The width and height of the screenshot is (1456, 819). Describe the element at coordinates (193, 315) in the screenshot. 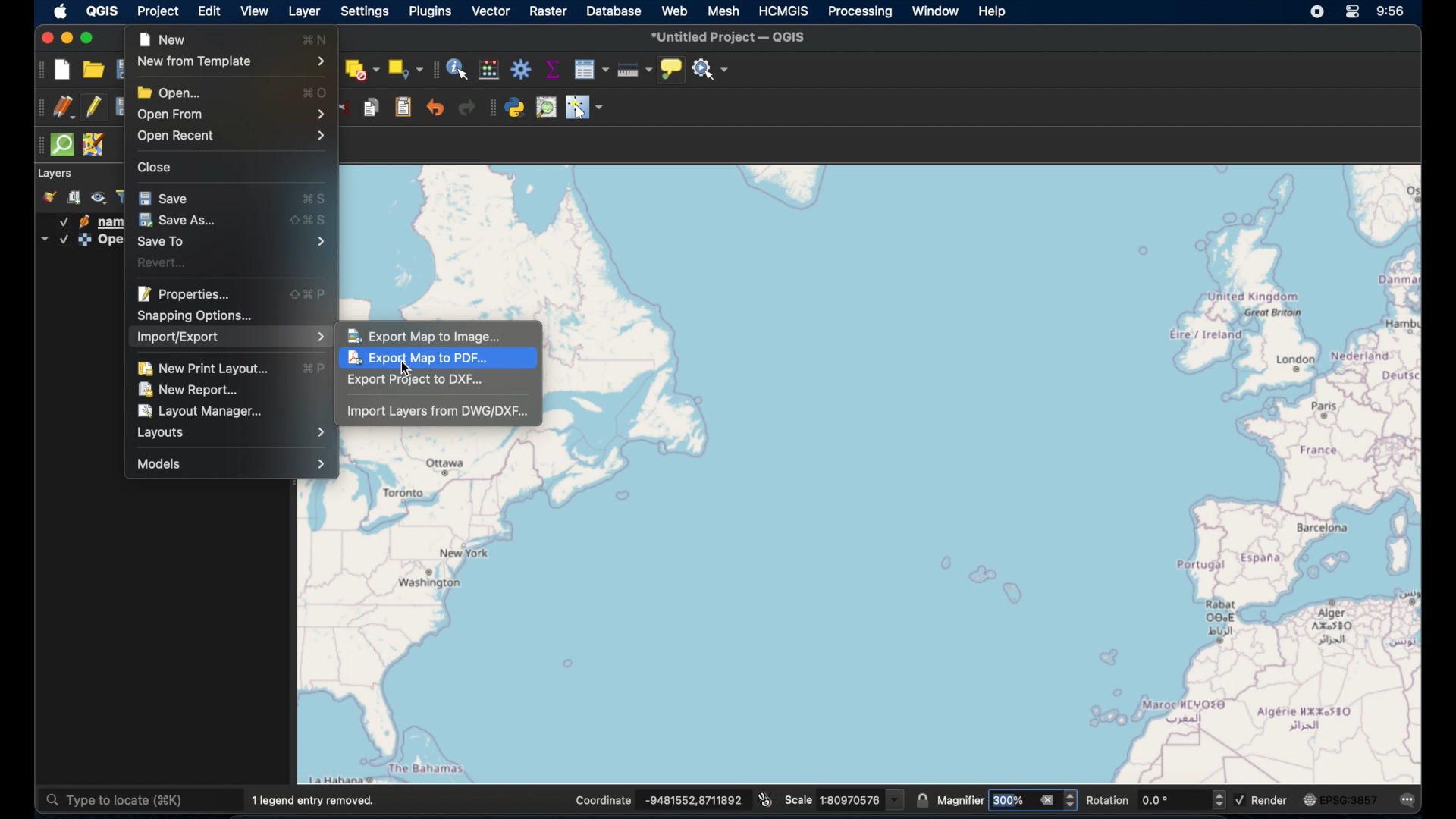

I see `snapping options` at that location.